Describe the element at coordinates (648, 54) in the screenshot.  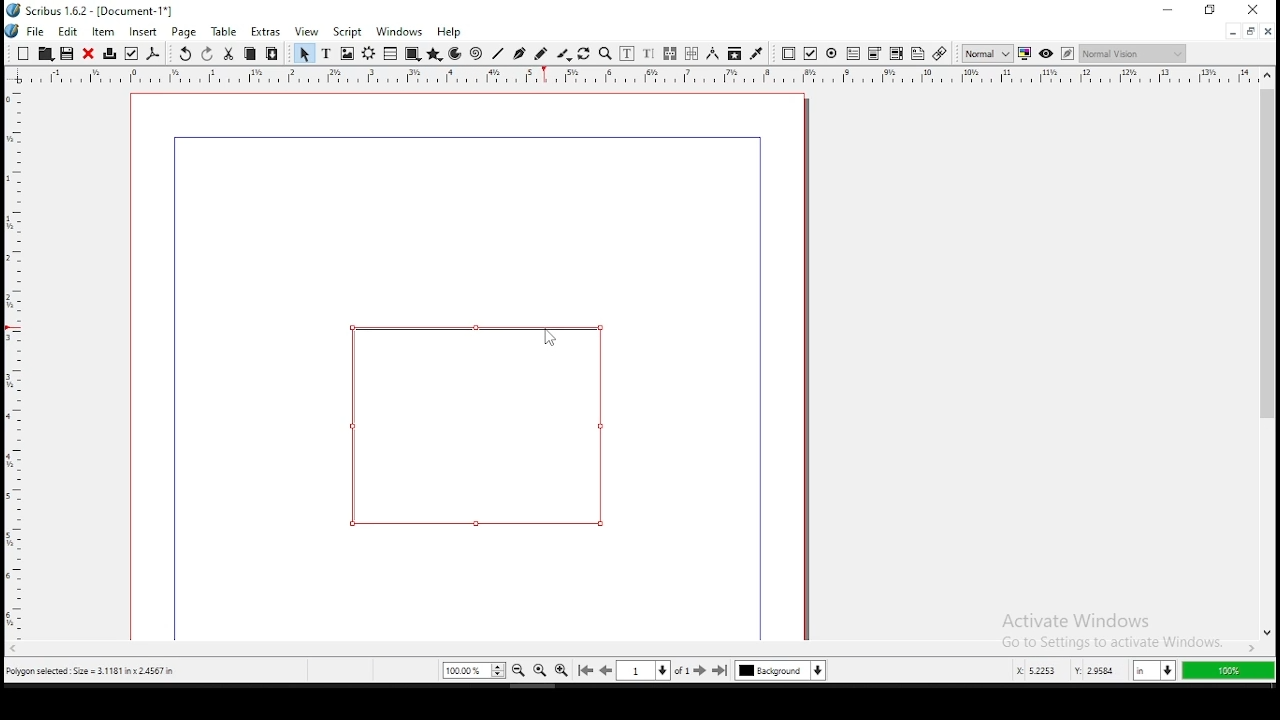
I see `edit text with story editor` at that location.